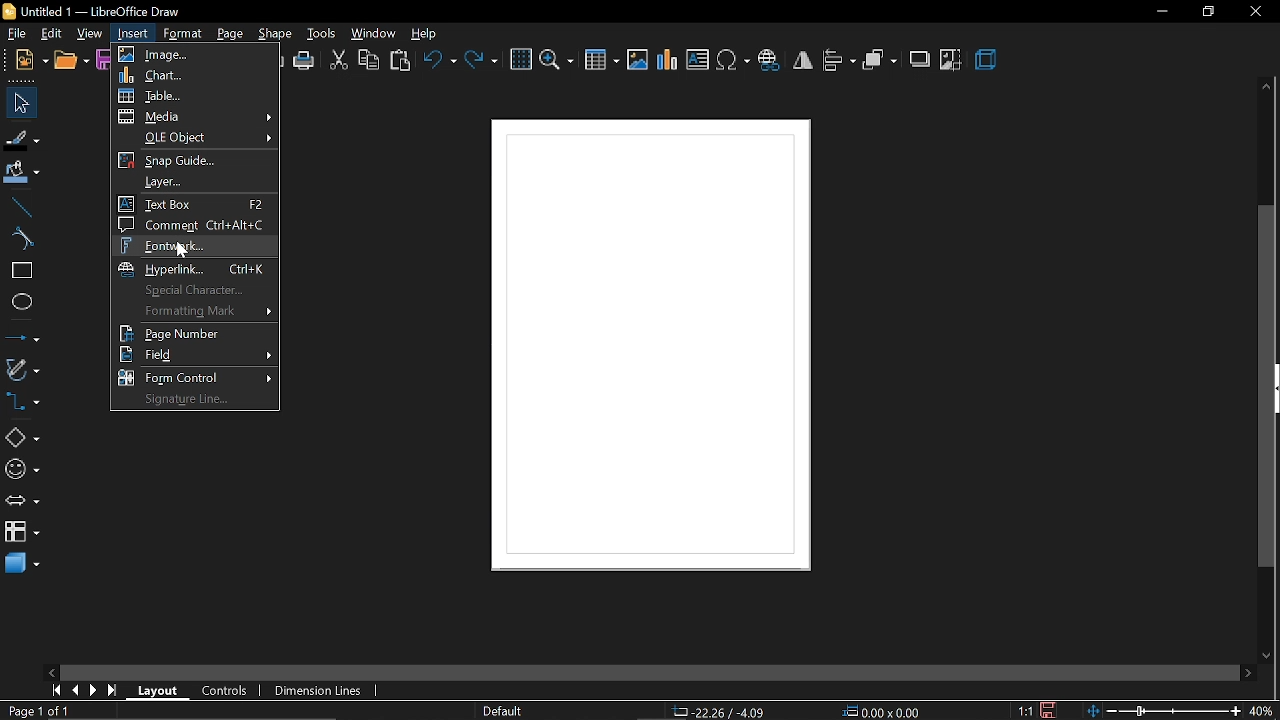 The width and height of the screenshot is (1280, 720). I want to click on edit, so click(54, 32).